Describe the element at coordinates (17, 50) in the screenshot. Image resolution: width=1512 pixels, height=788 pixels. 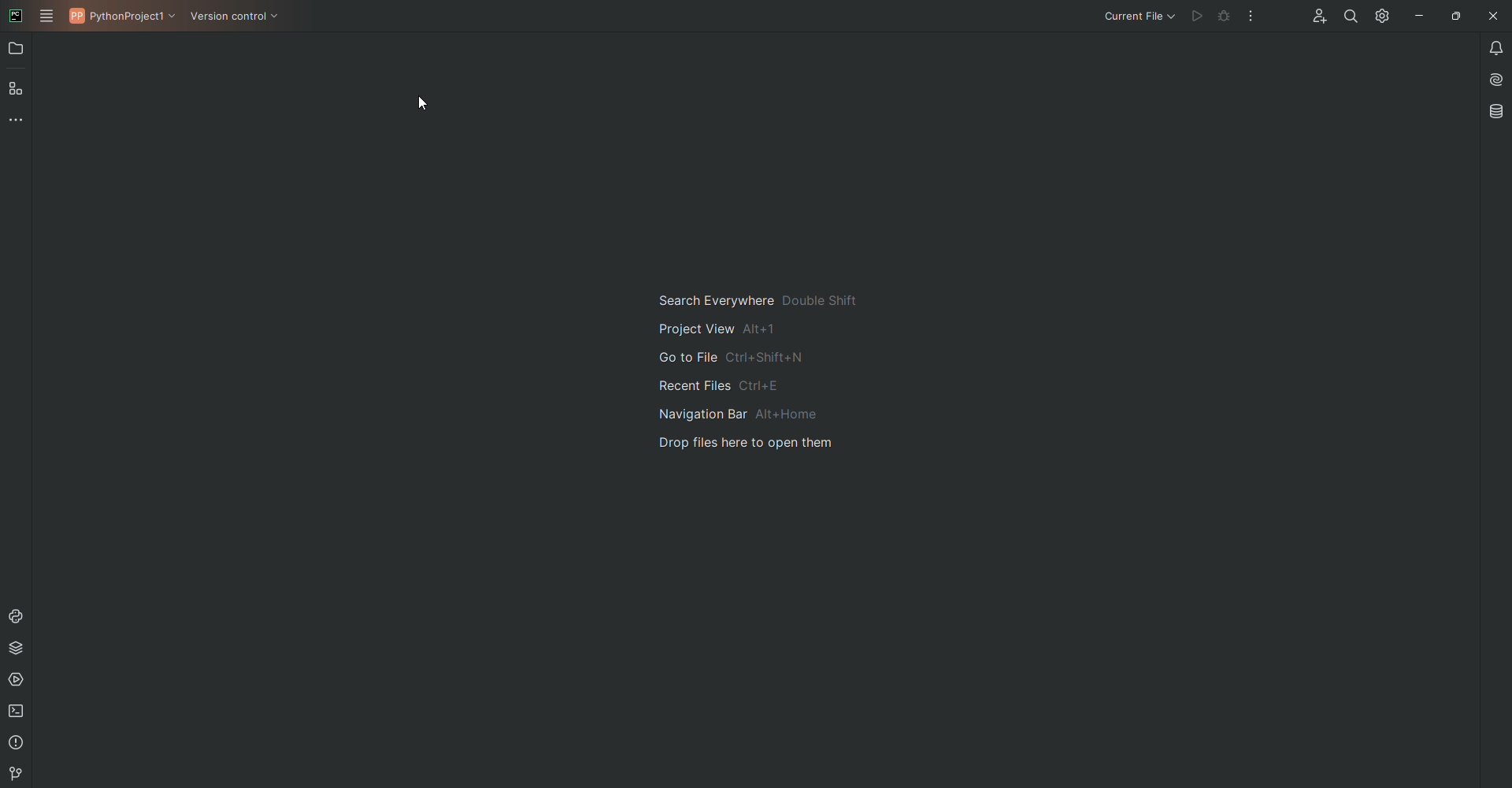
I see `Project` at that location.